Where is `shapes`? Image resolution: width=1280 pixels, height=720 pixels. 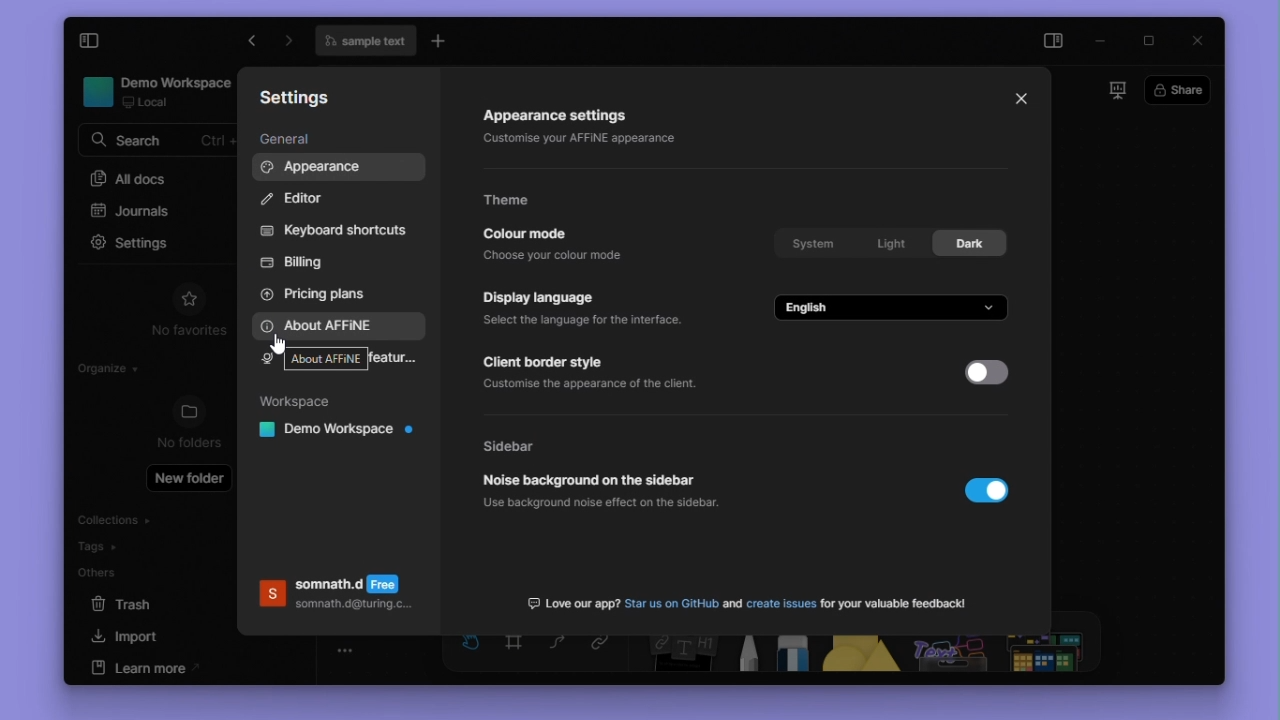
shapes is located at coordinates (862, 653).